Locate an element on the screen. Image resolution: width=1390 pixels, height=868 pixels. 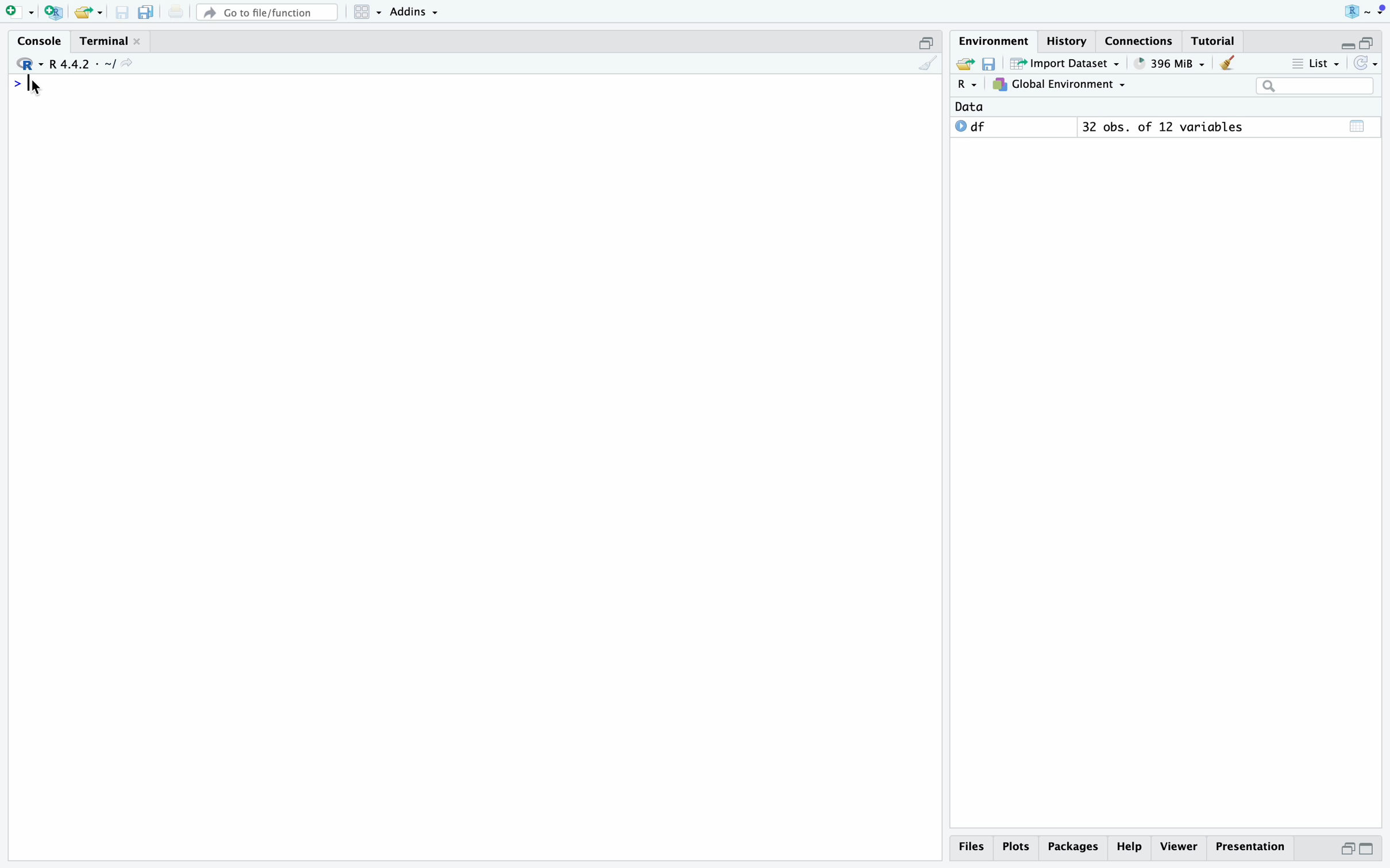
files is located at coordinates (972, 848).